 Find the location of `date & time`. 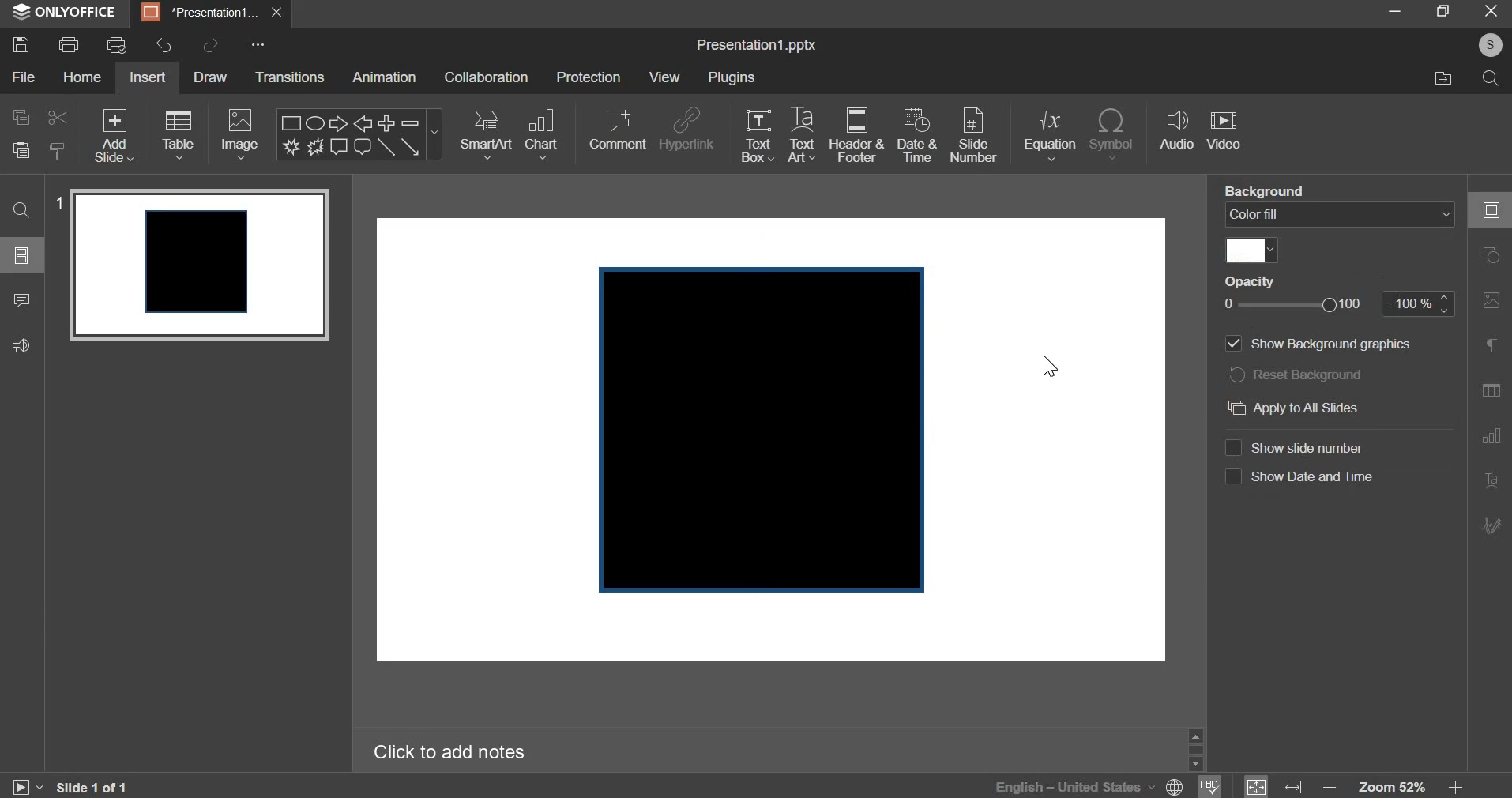

date & time is located at coordinates (915, 134).